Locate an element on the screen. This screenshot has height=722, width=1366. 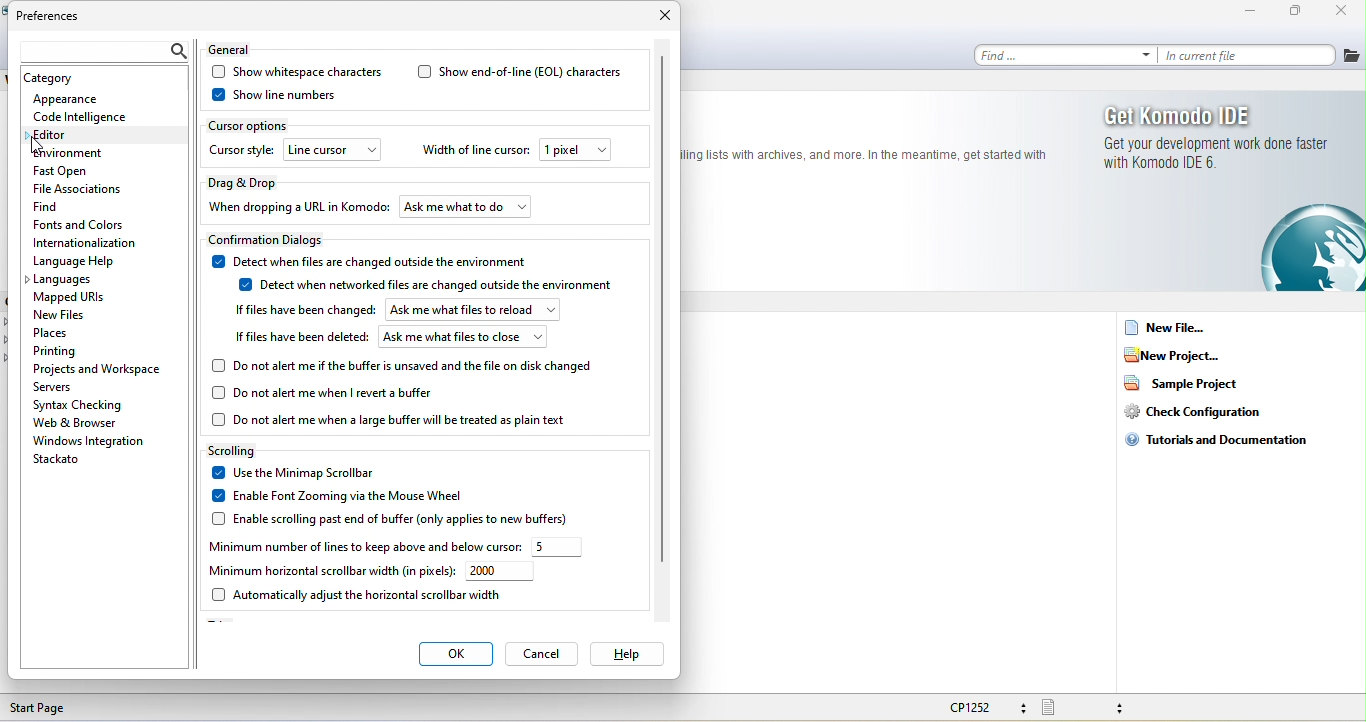
if files have been deleted is located at coordinates (300, 339).